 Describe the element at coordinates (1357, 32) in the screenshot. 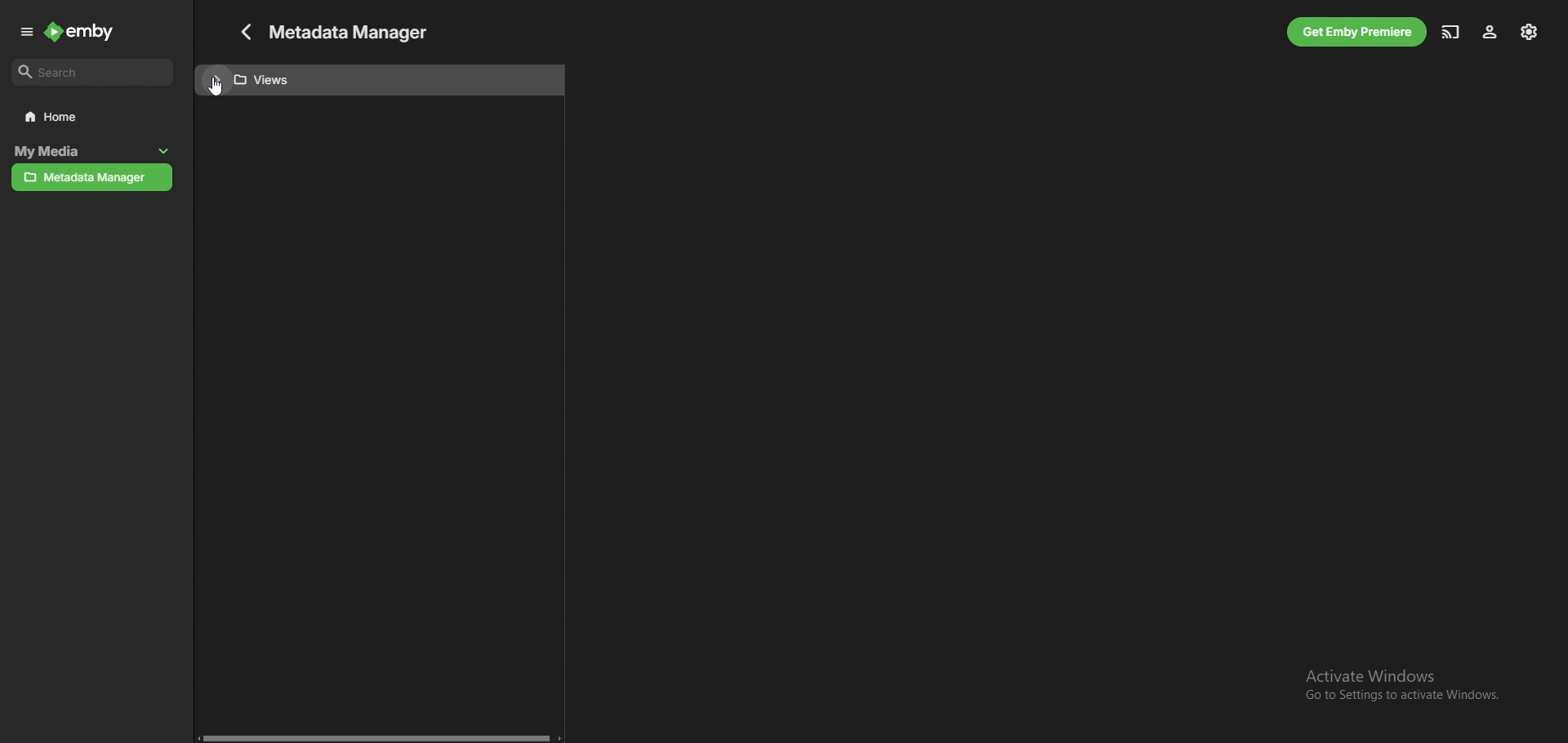

I see `get premiere` at that location.